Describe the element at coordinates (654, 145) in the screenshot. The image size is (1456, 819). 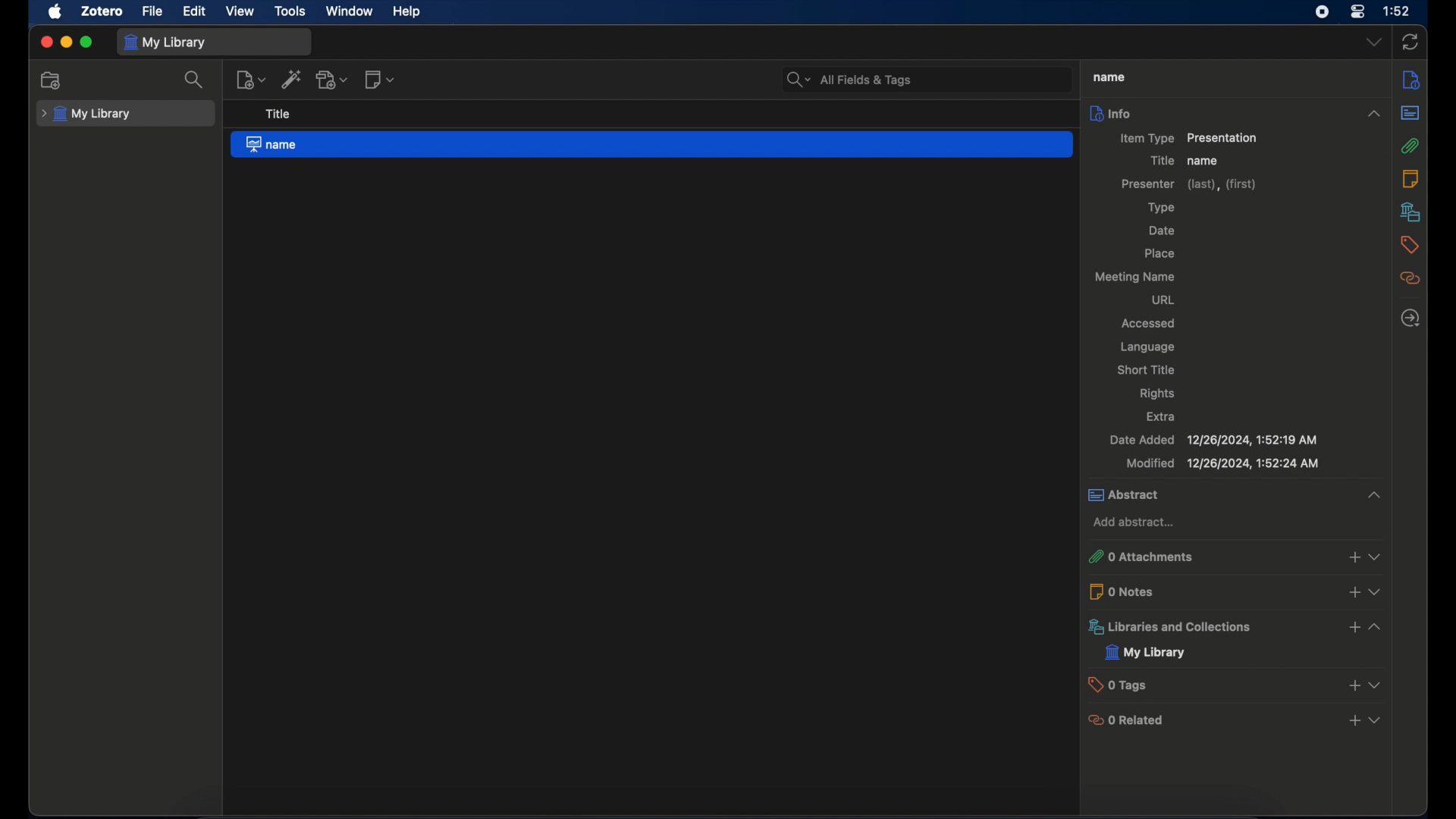
I see `file name` at that location.